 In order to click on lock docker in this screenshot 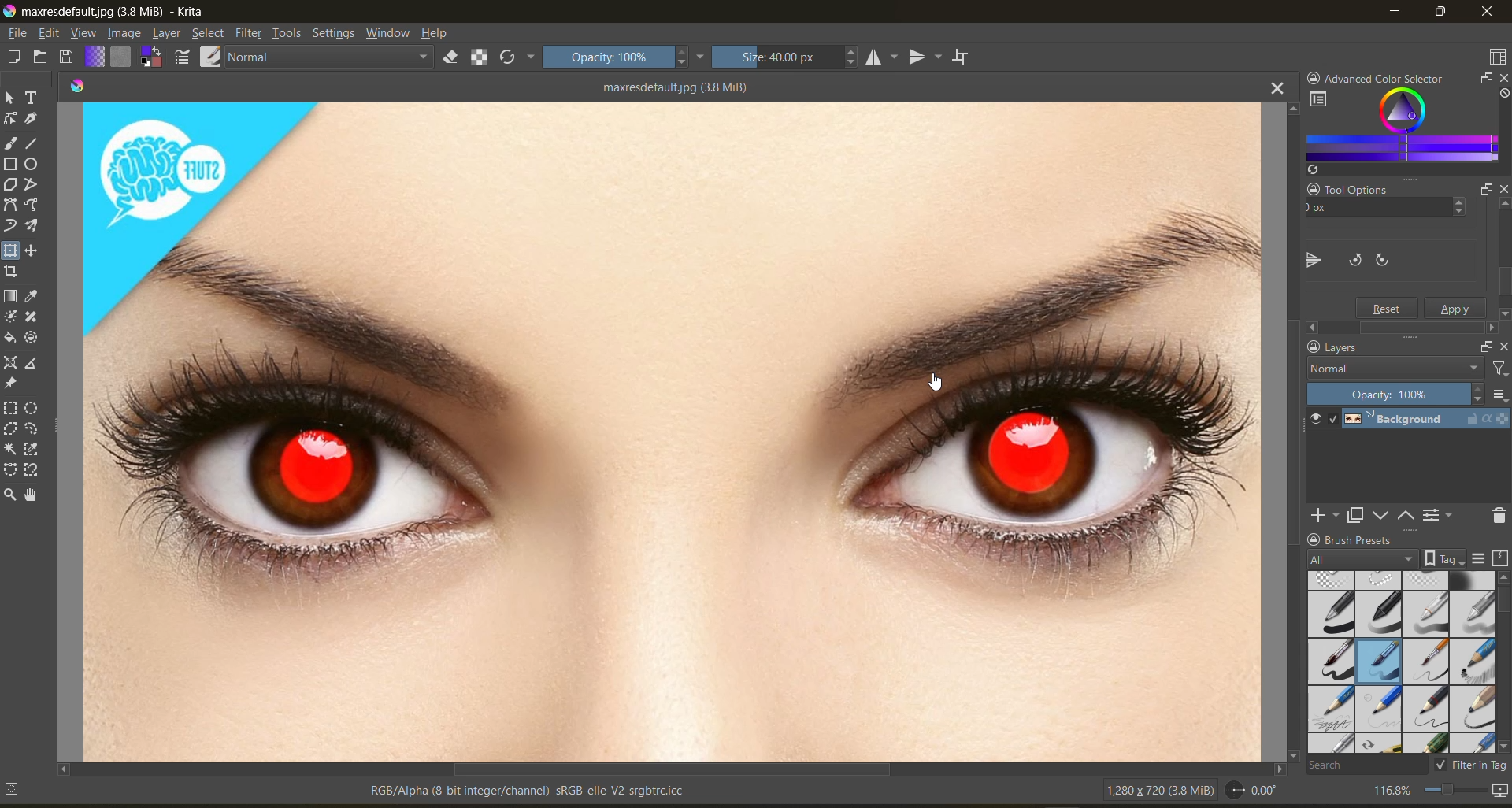, I will do `click(1311, 75)`.